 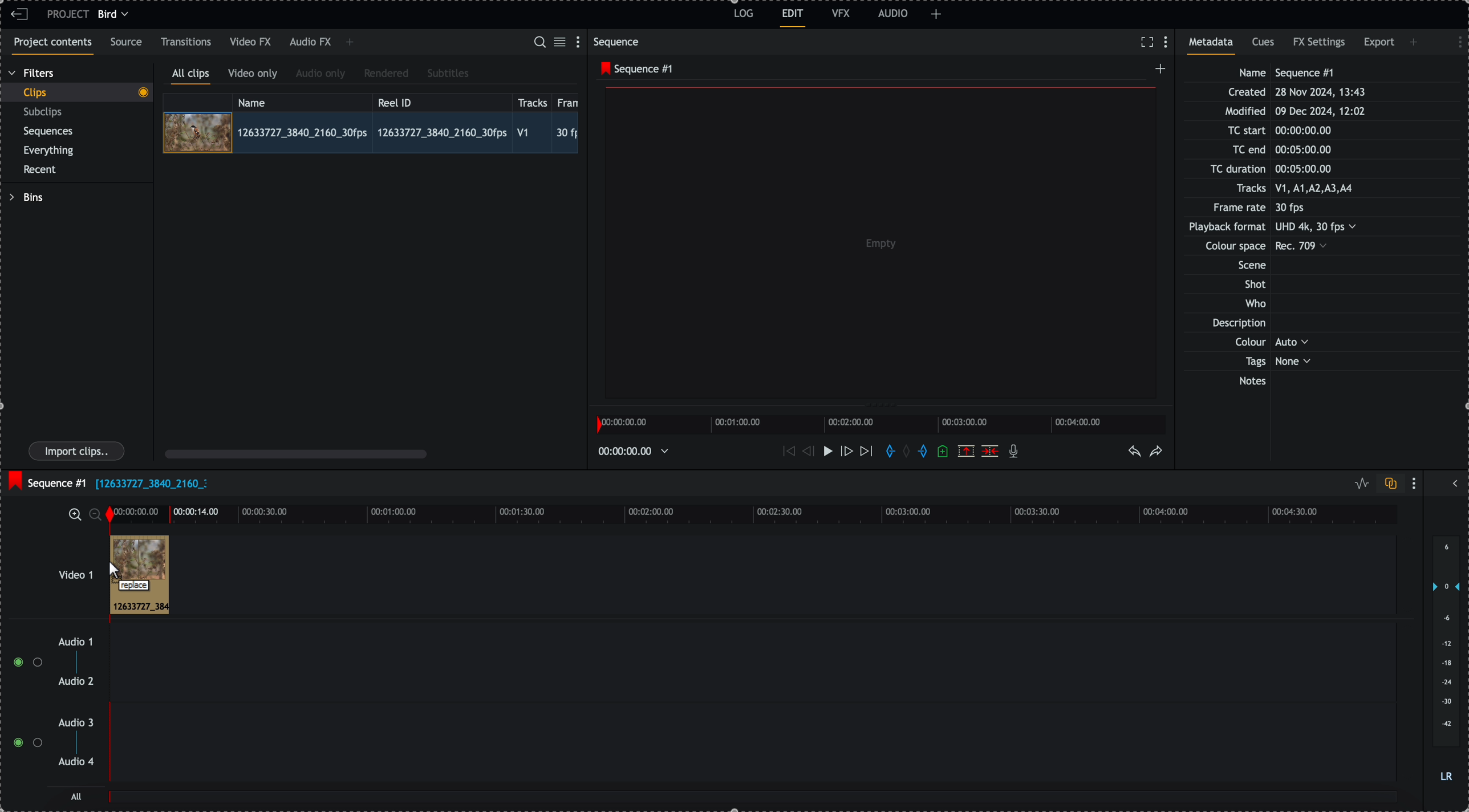 I want to click on add panel, so click(x=350, y=43).